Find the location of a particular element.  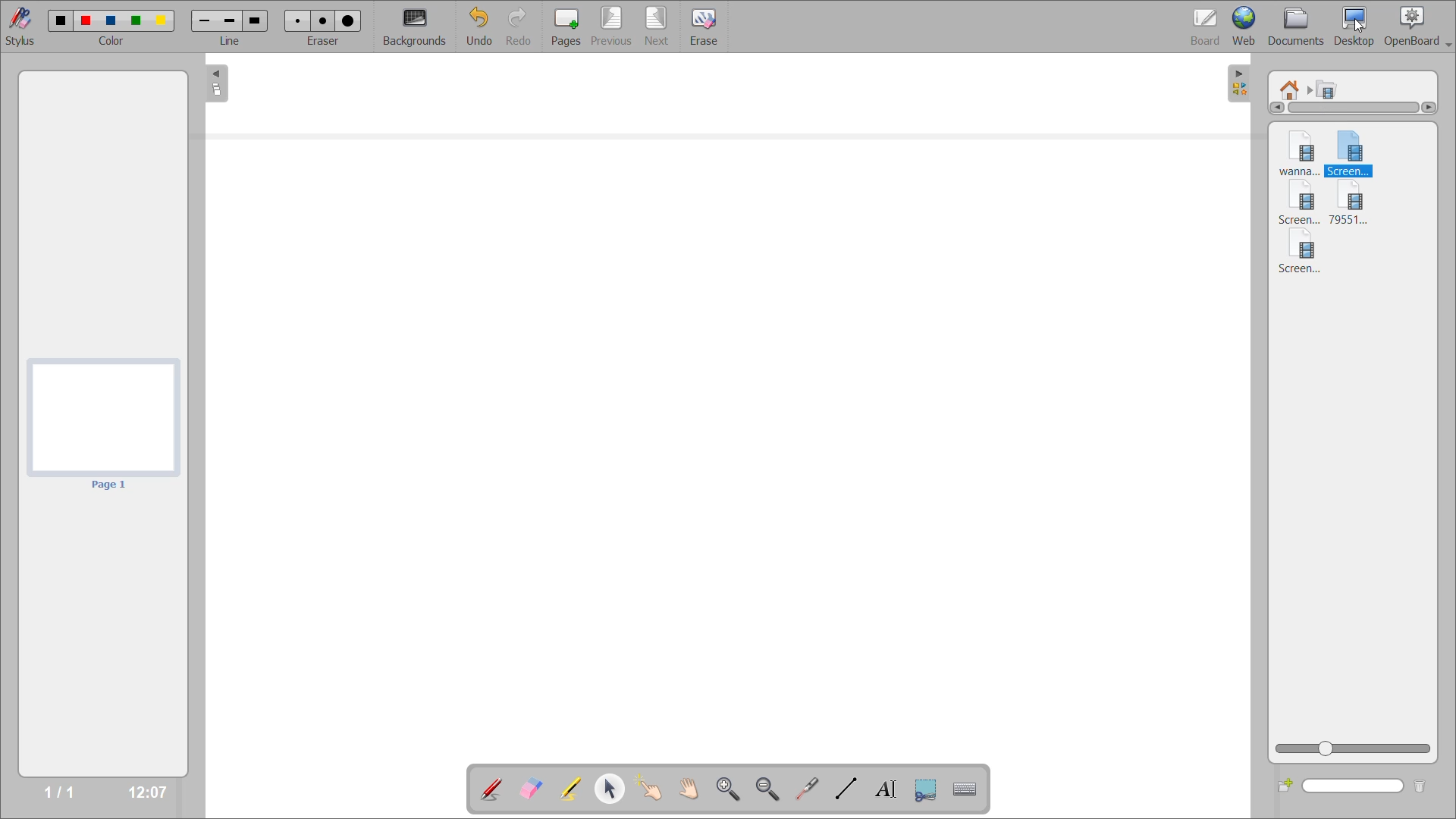

page preview is located at coordinates (104, 424).